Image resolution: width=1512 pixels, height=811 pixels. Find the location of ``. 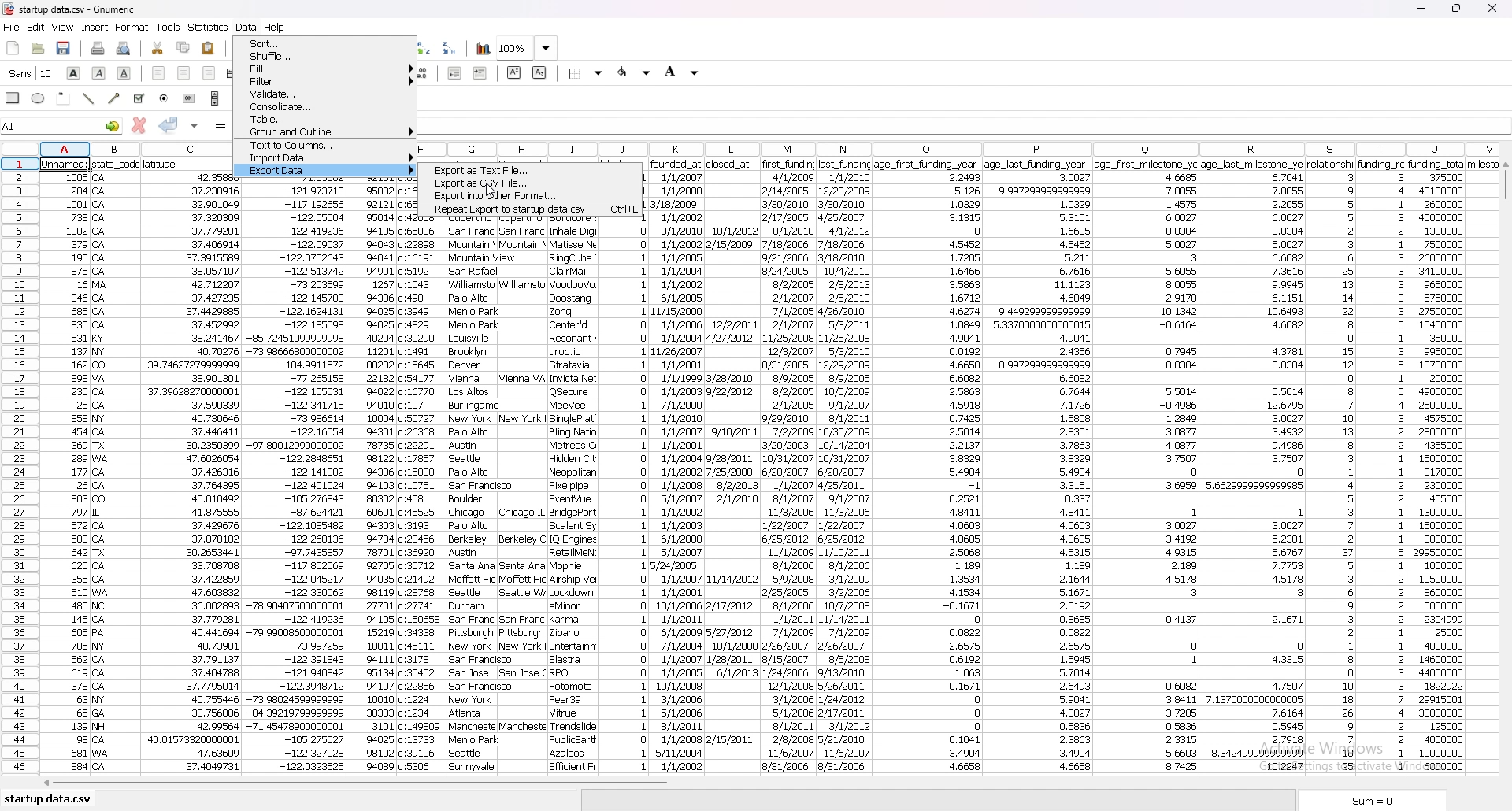

 is located at coordinates (117, 466).